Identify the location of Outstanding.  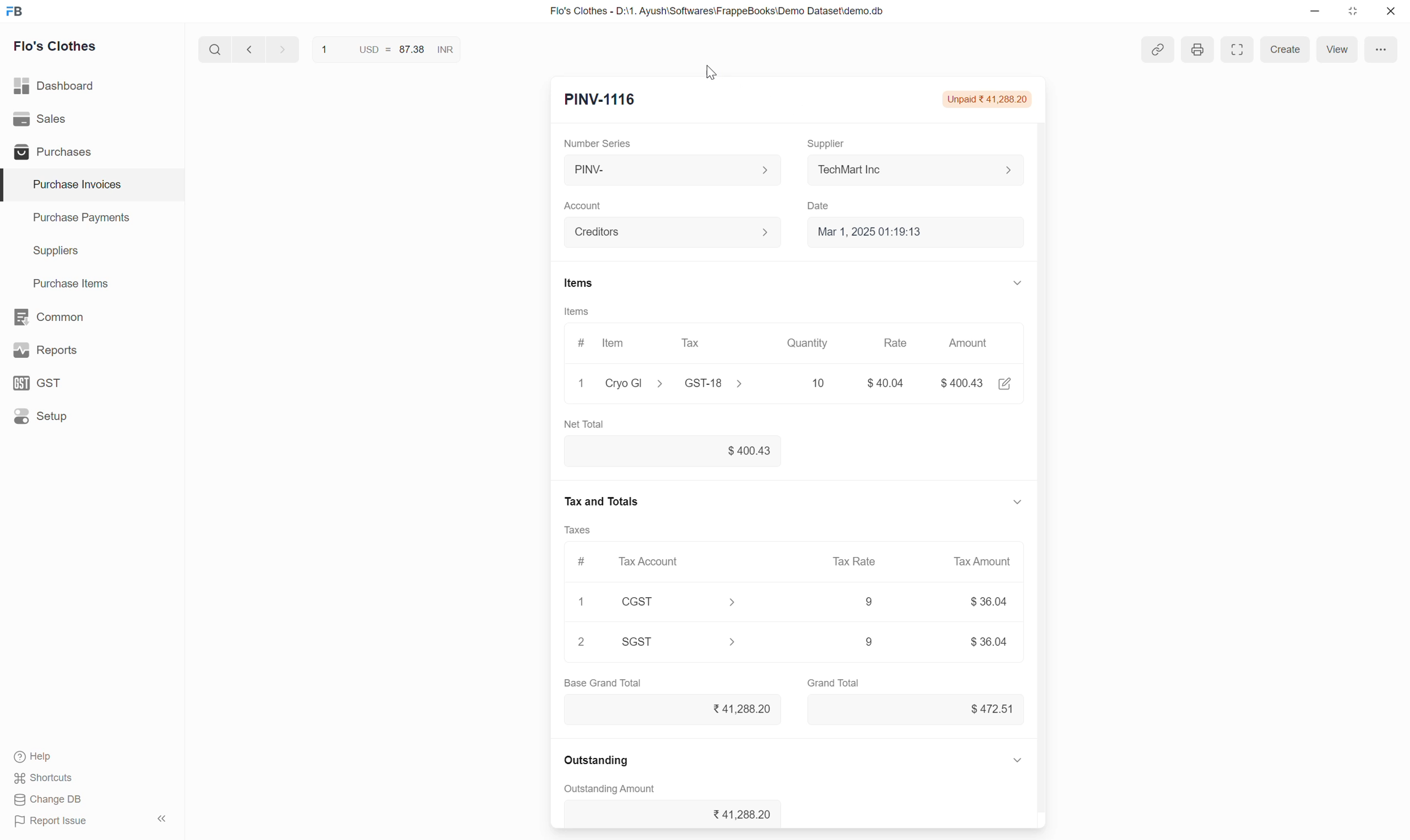
(603, 762).